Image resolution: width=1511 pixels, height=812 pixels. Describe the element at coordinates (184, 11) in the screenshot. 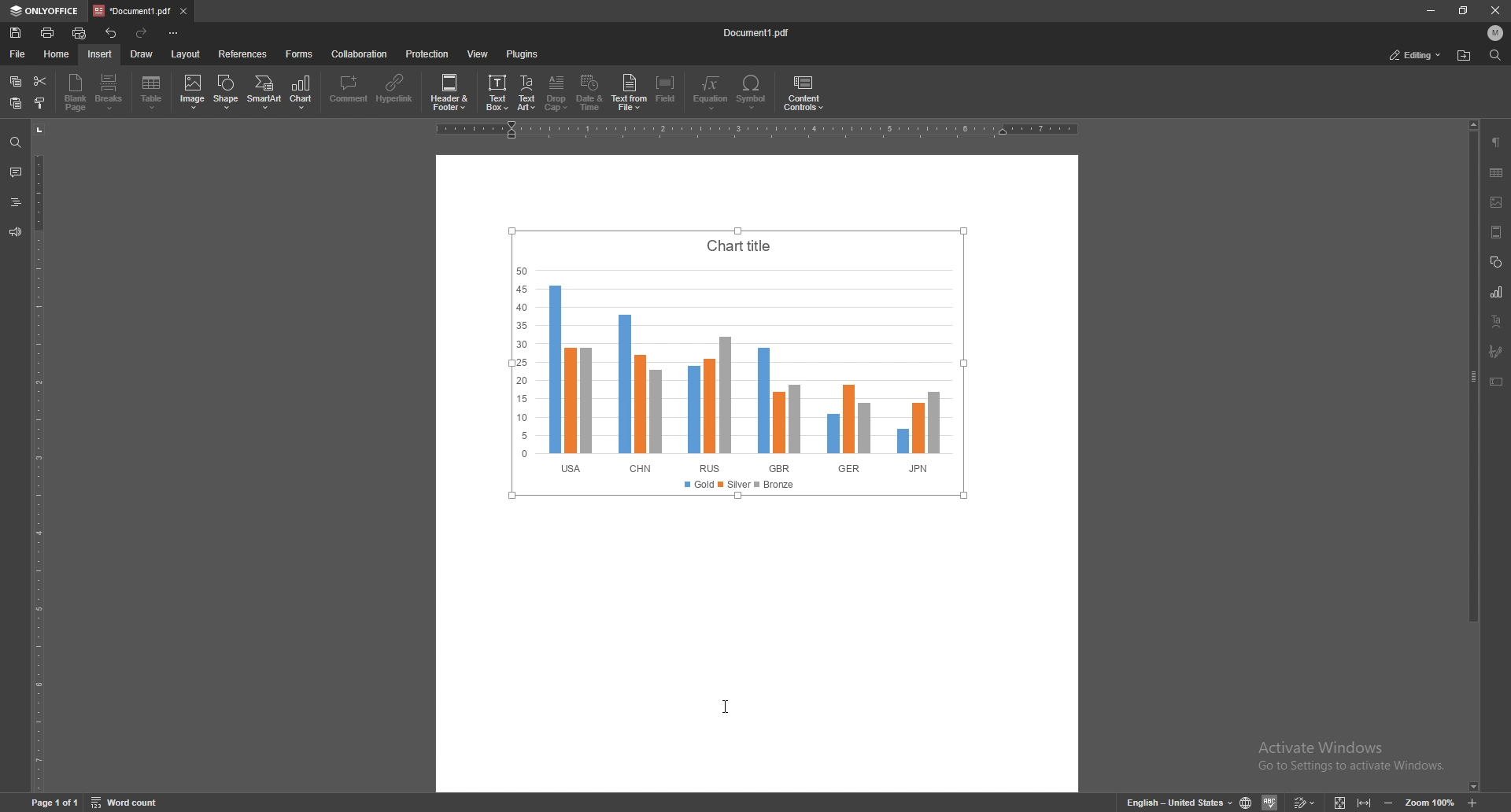

I see `close tab` at that location.